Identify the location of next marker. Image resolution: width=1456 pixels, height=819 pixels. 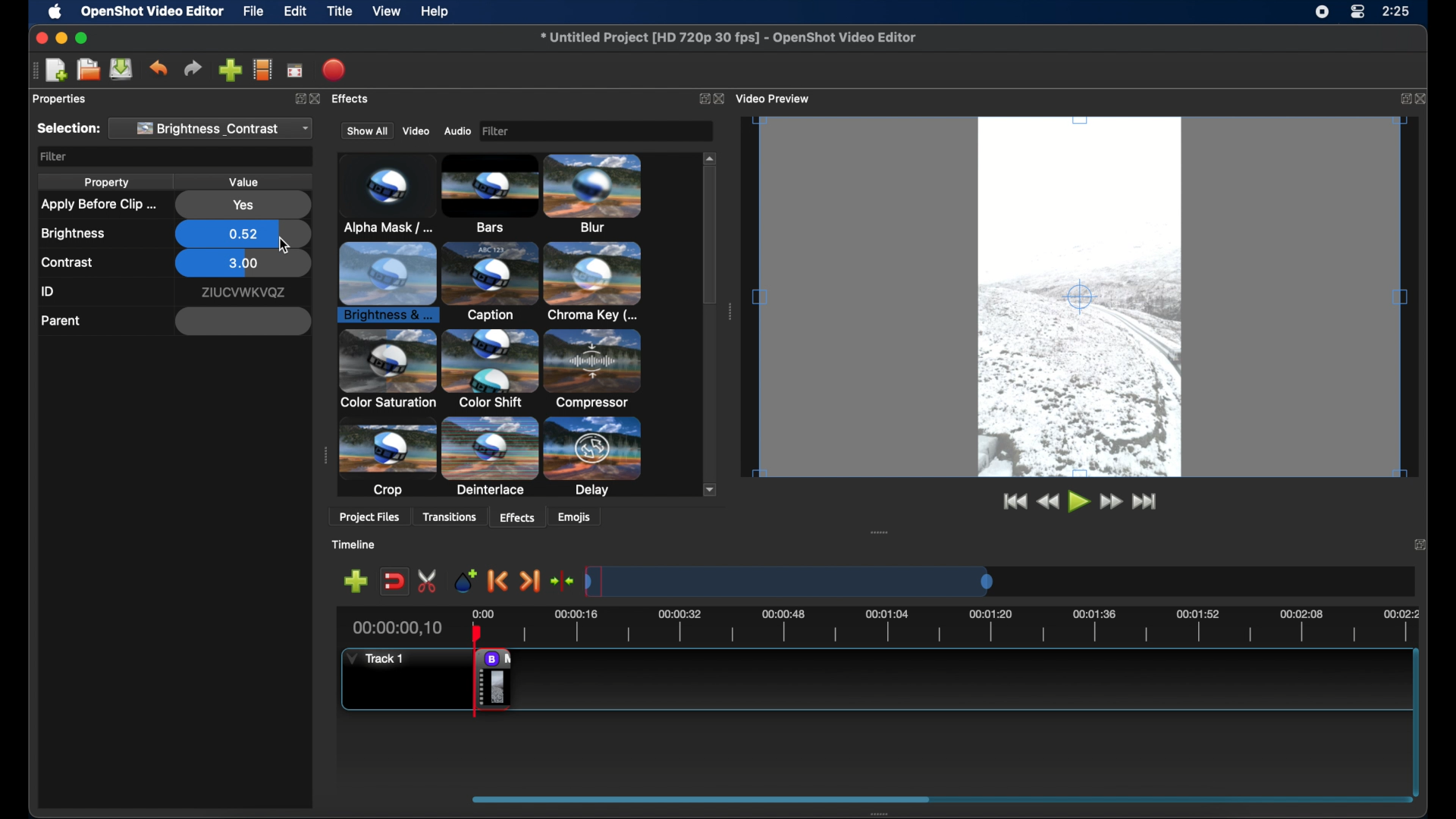
(532, 581).